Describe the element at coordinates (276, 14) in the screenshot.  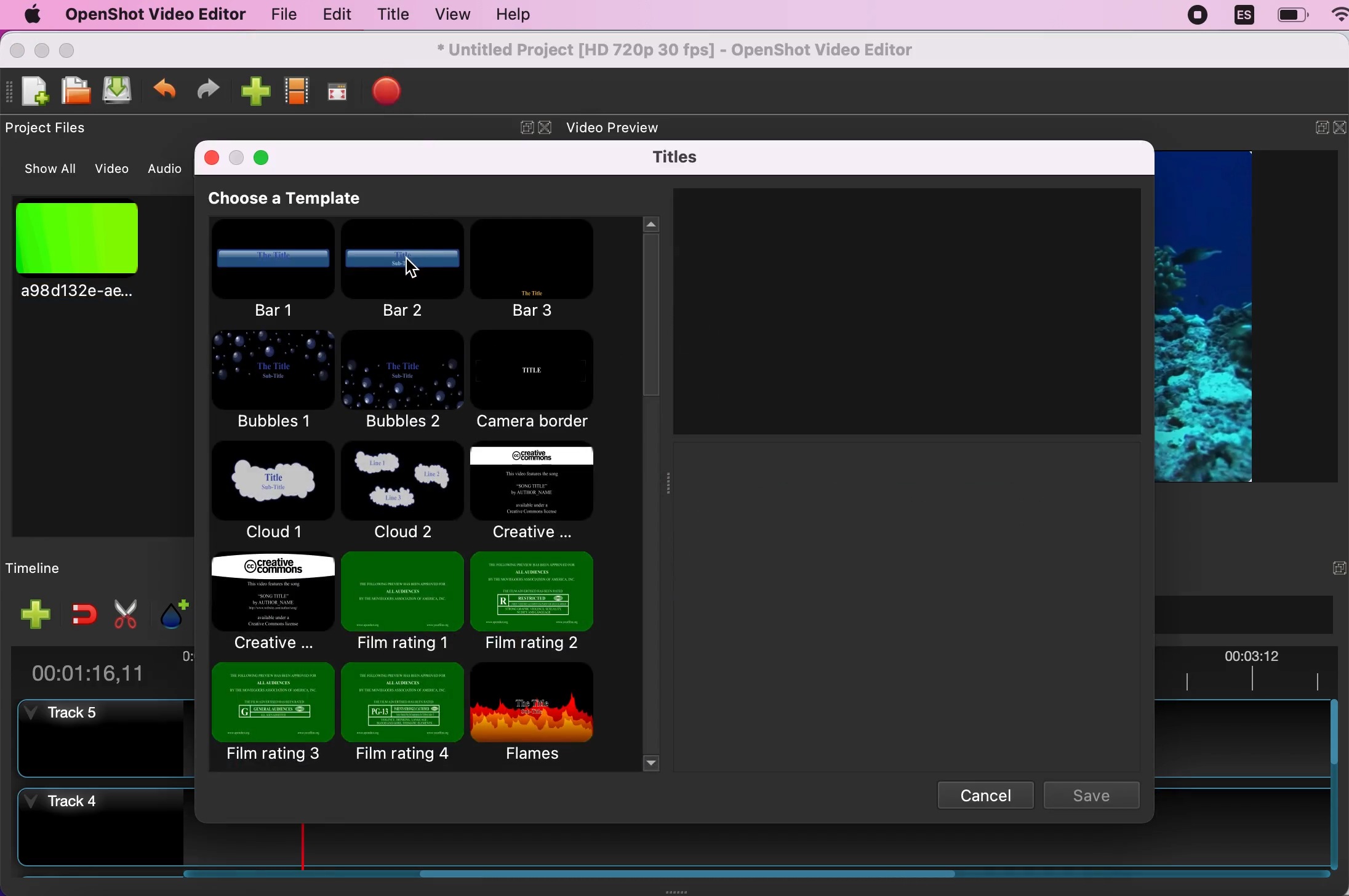
I see `file` at that location.